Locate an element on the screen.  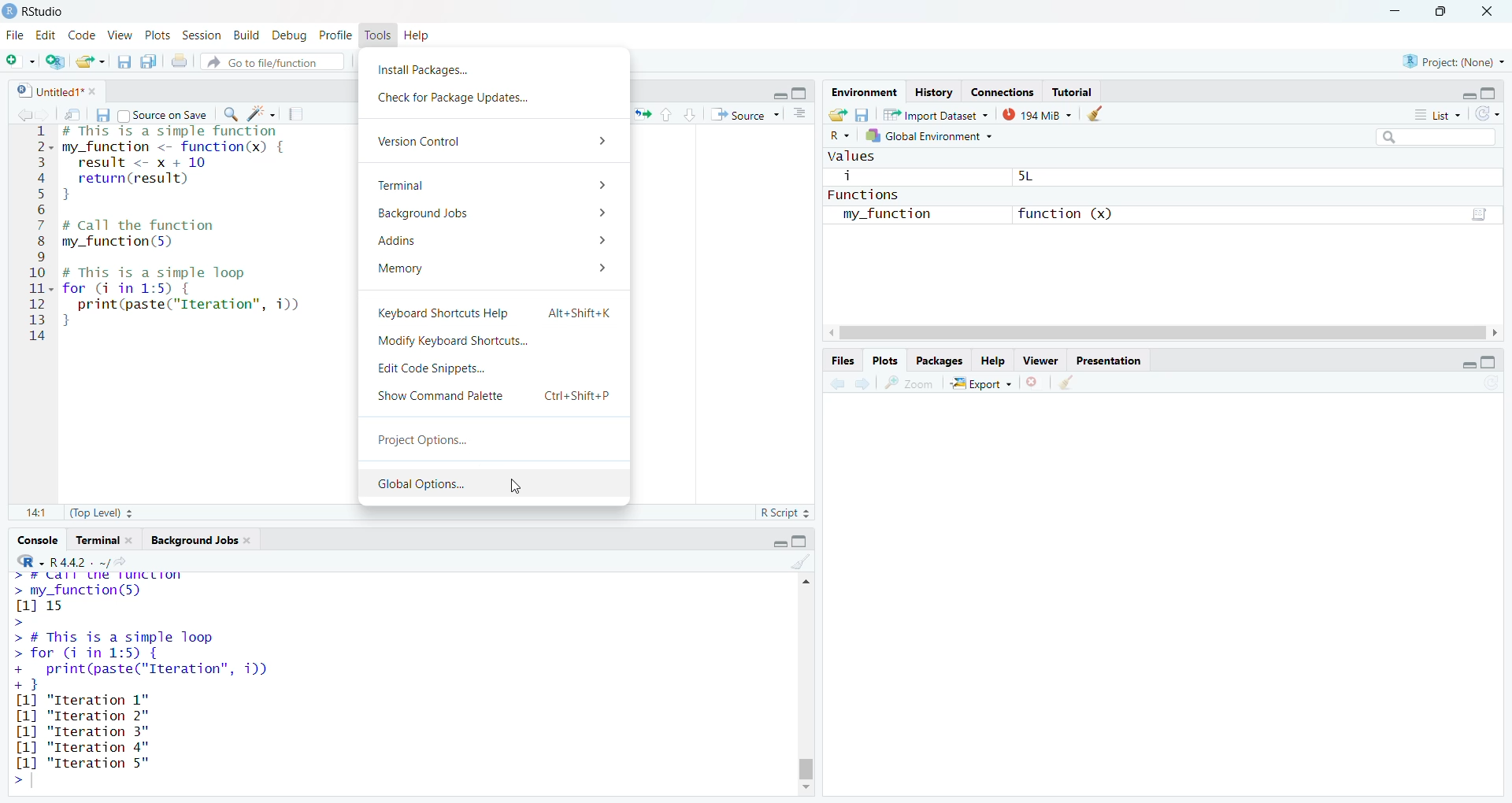
i is located at coordinates (850, 176).